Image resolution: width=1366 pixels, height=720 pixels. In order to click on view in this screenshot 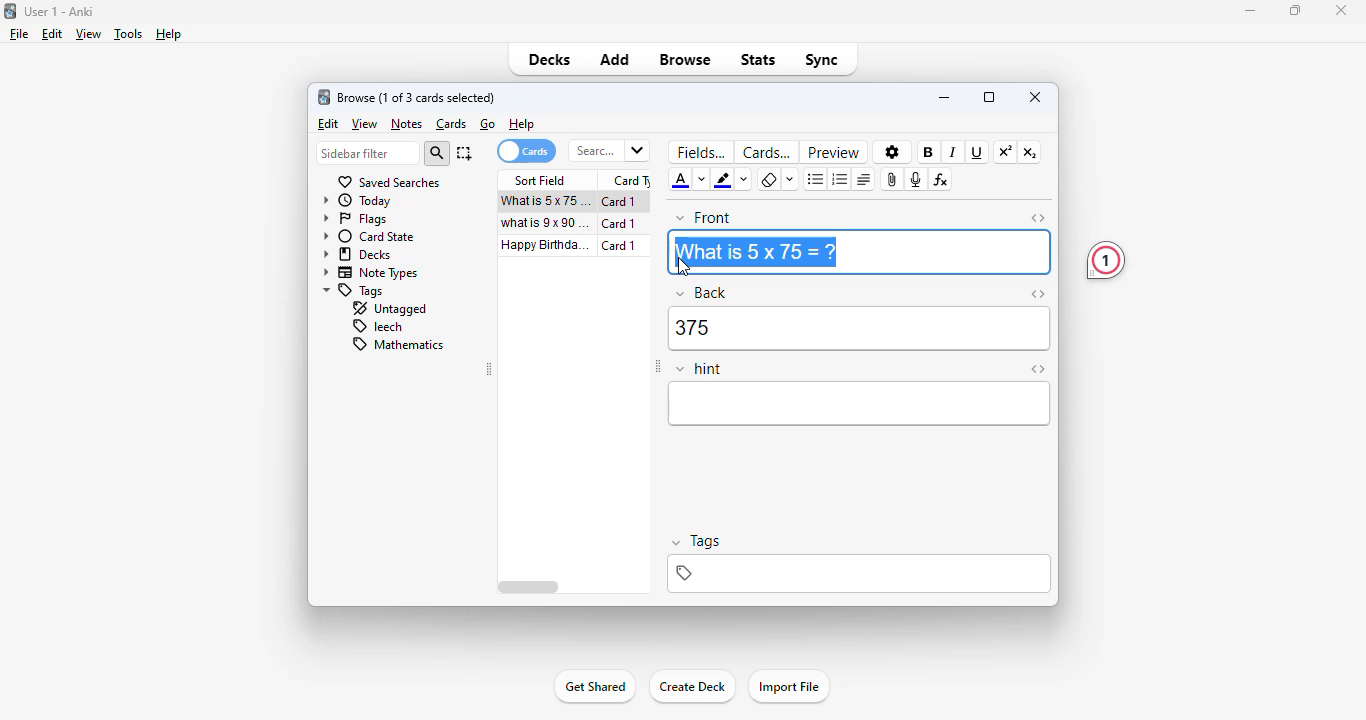, I will do `click(365, 124)`.